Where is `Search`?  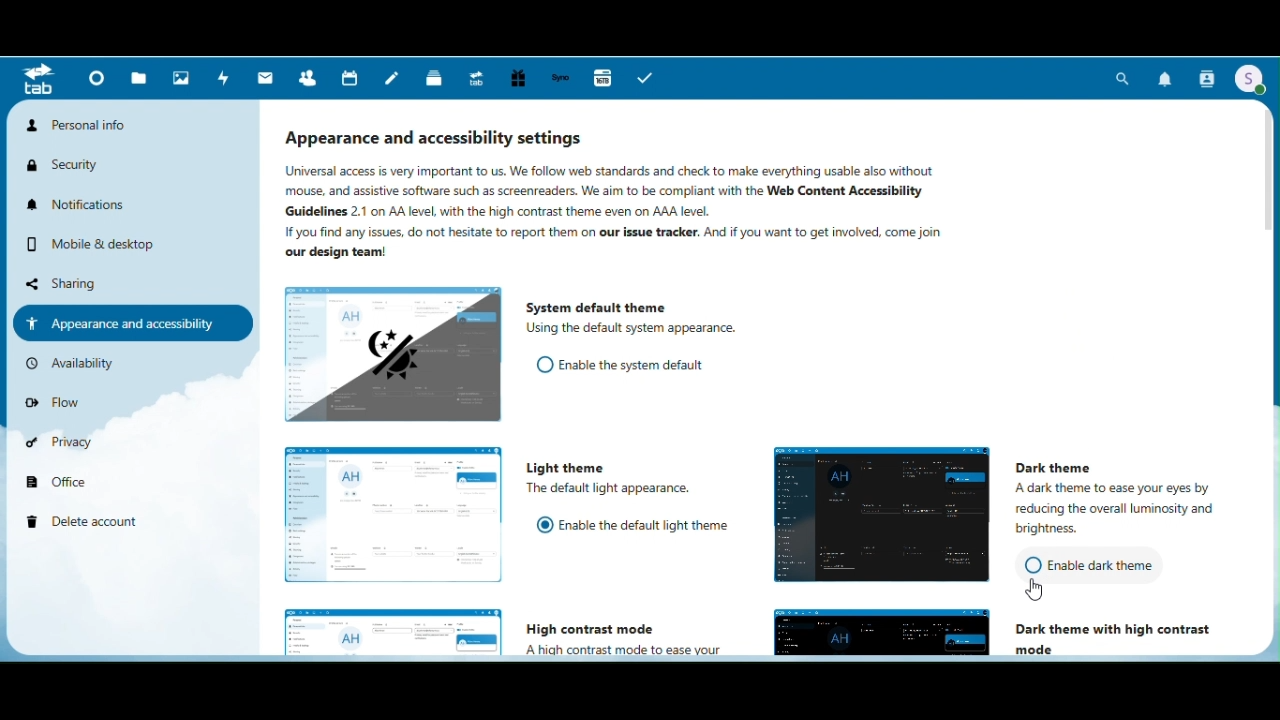 Search is located at coordinates (1124, 78).